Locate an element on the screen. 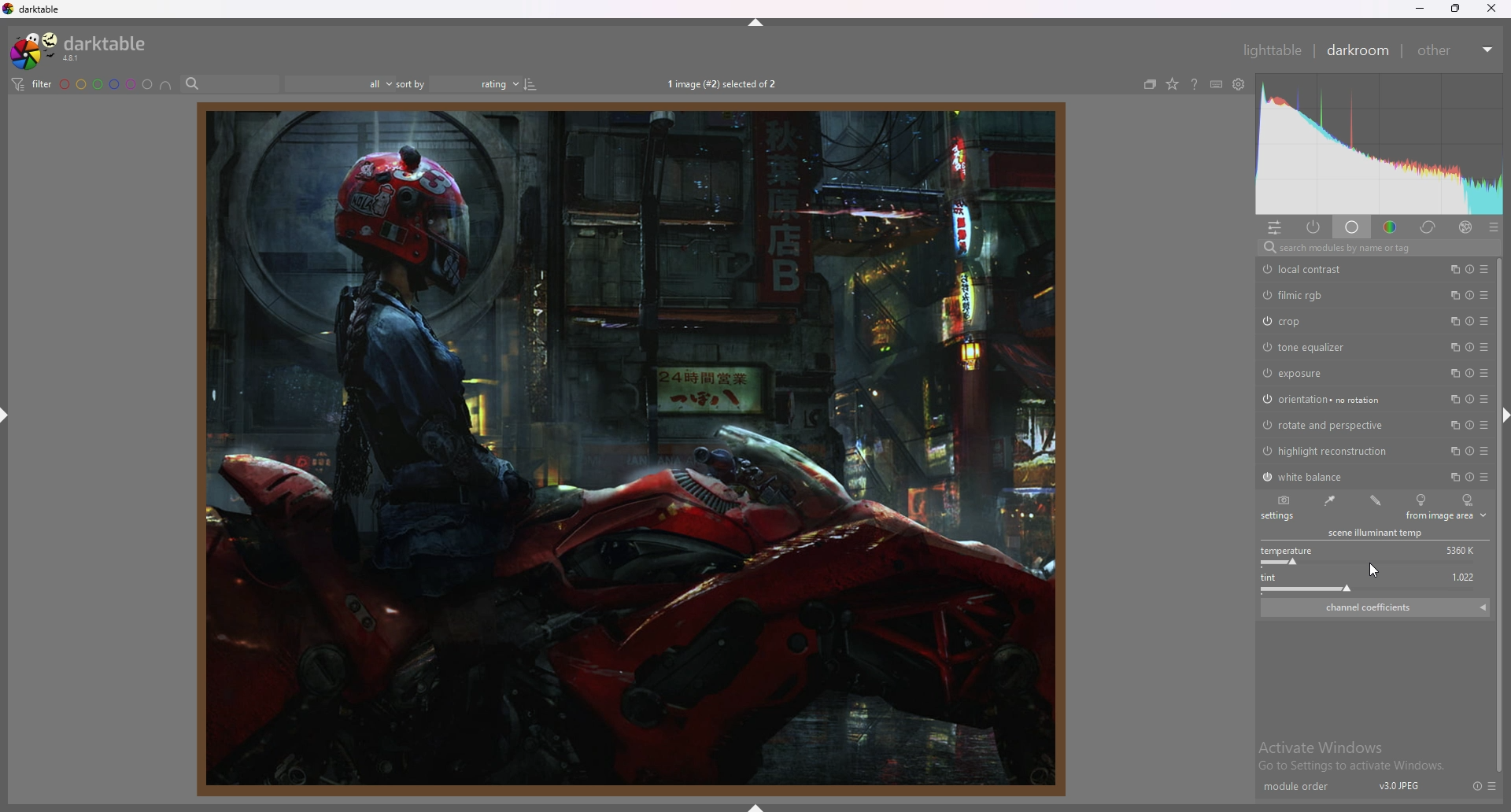  search modules is located at coordinates (1375, 249).